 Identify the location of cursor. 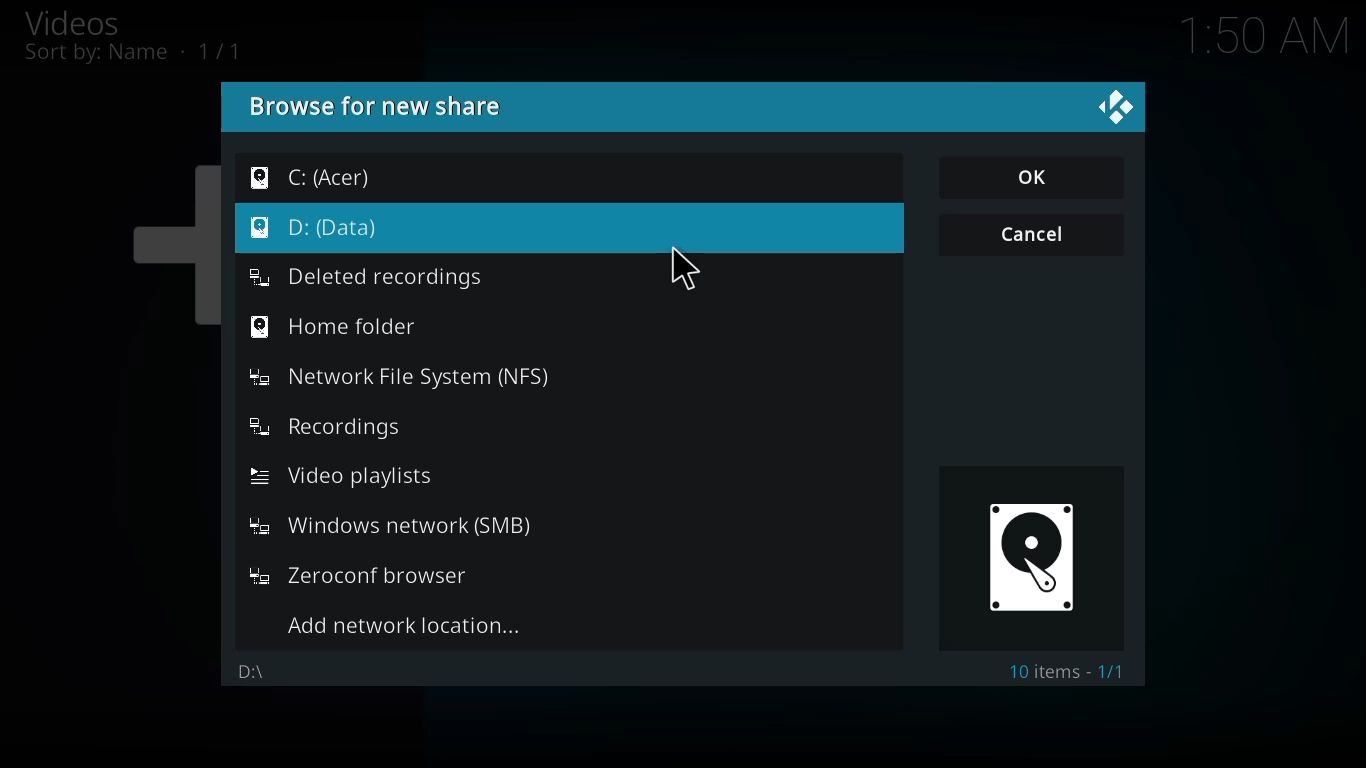
(681, 269).